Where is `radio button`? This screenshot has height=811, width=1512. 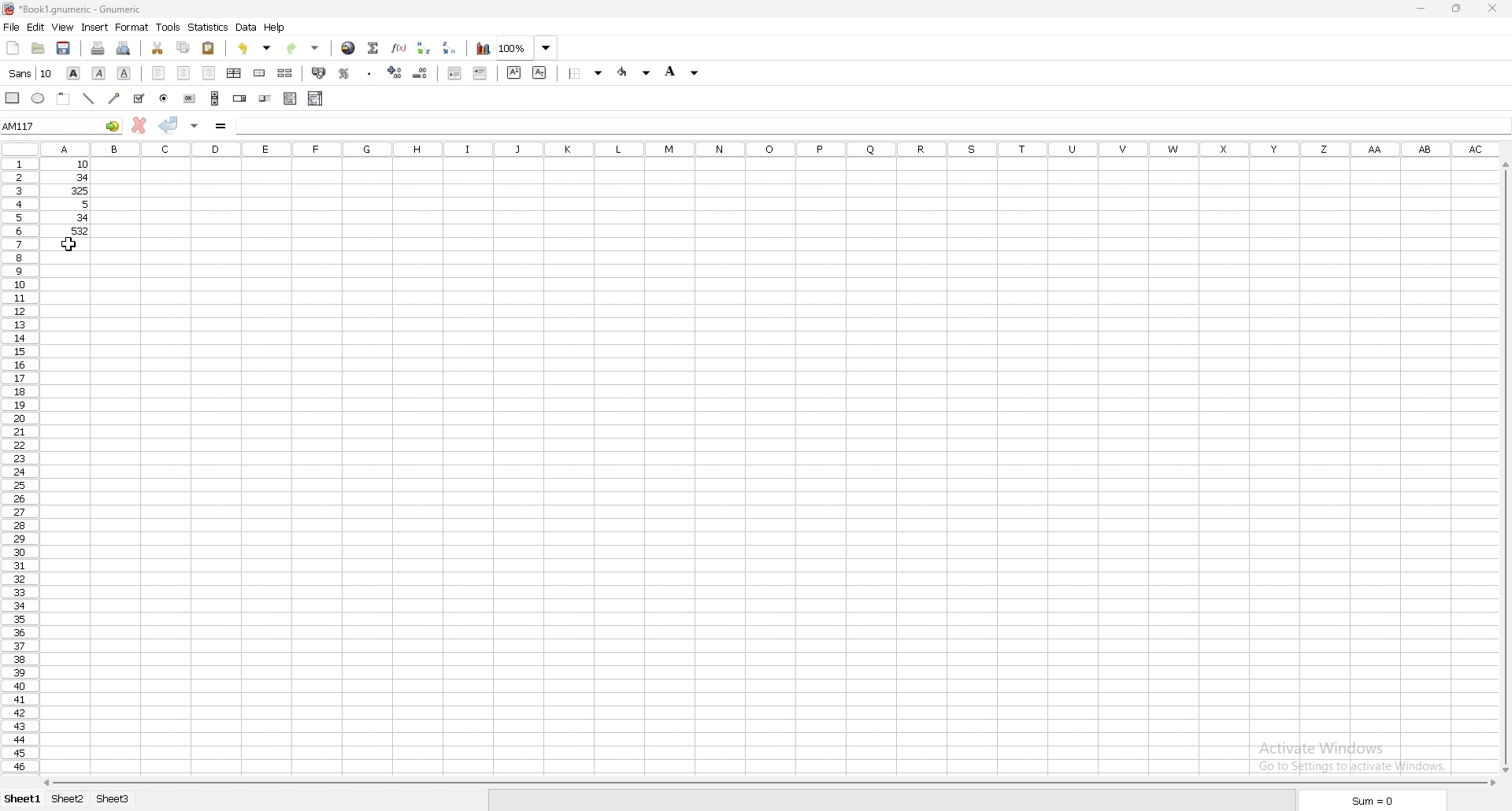
radio button is located at coordinates (165, 98).